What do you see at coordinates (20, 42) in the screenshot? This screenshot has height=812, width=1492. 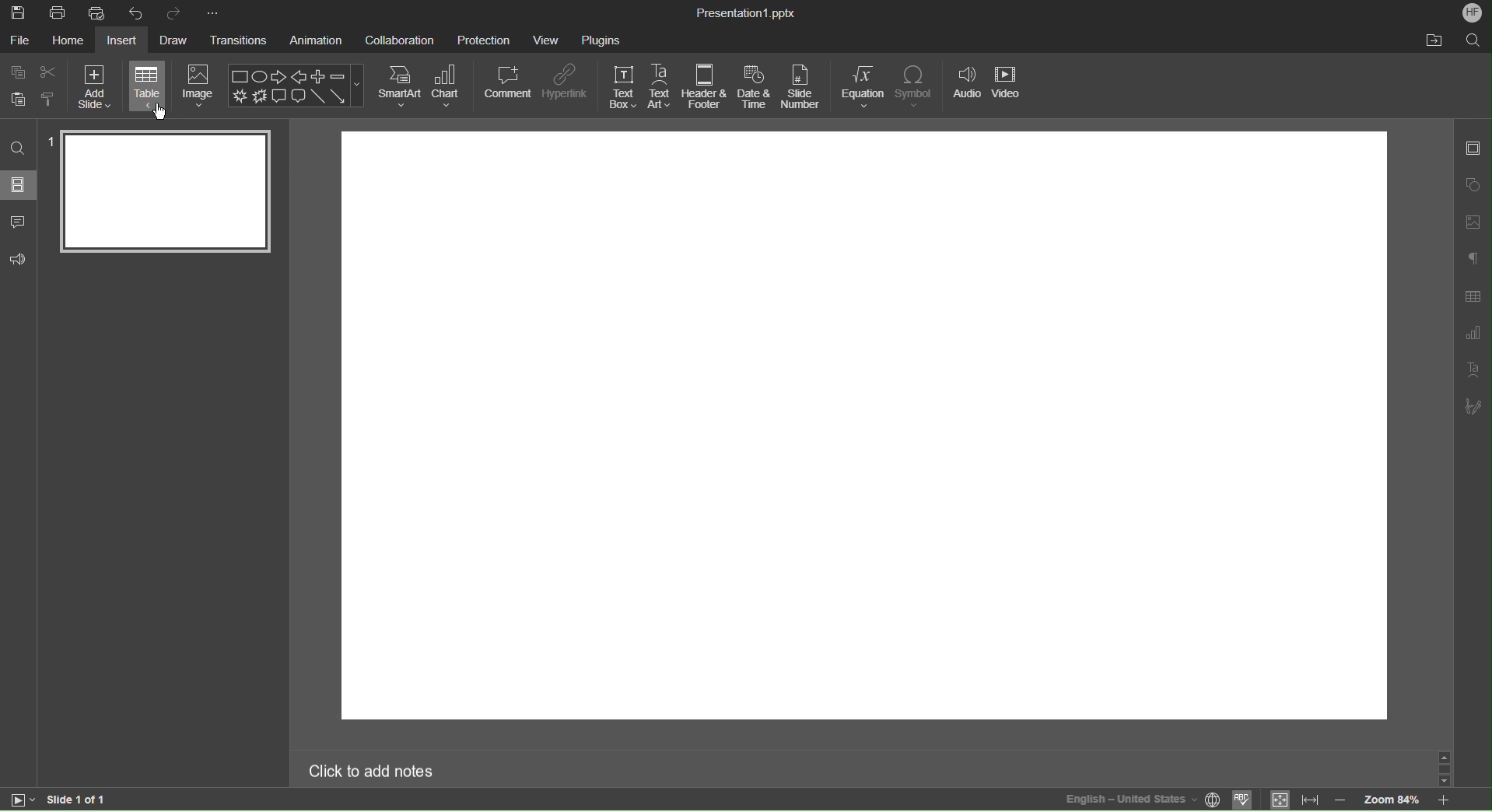 I see `File` at bounding box center [20, 42].